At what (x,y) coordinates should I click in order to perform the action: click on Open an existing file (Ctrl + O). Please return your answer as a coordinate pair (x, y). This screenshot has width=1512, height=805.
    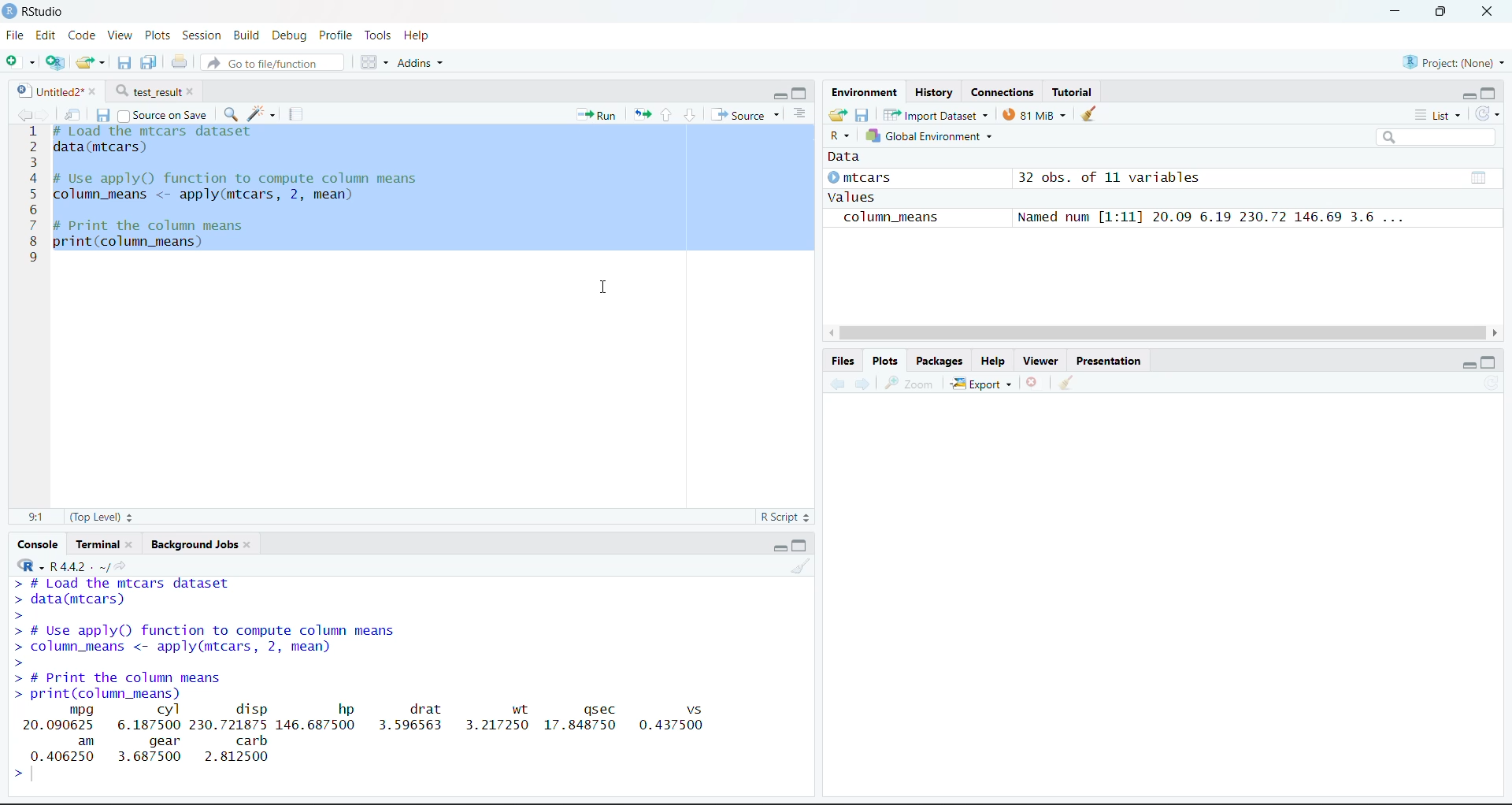
    Looking at the image, I should click on (91, 61).